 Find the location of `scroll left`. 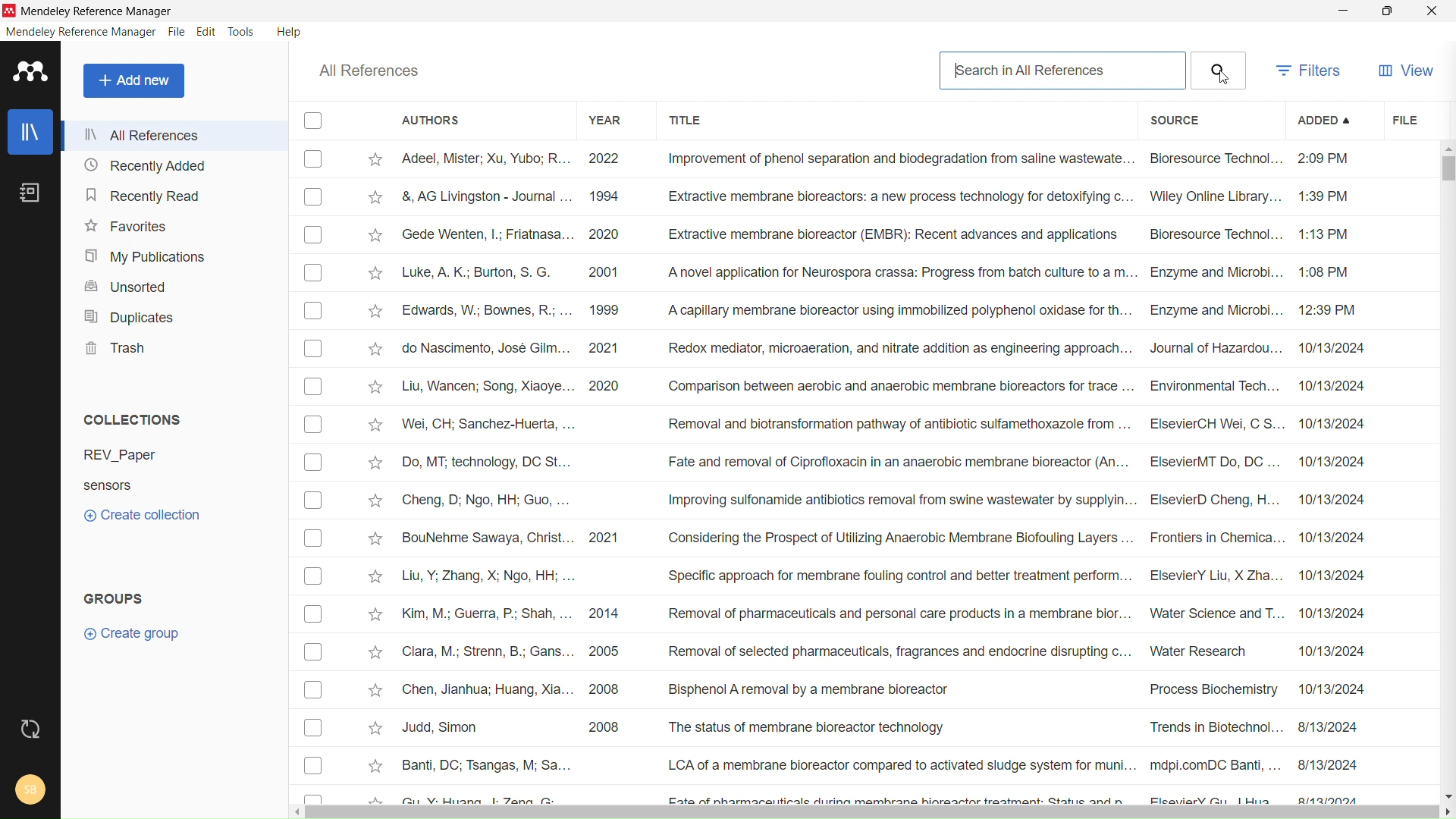

scroll left is located at coordinates (296, 811).